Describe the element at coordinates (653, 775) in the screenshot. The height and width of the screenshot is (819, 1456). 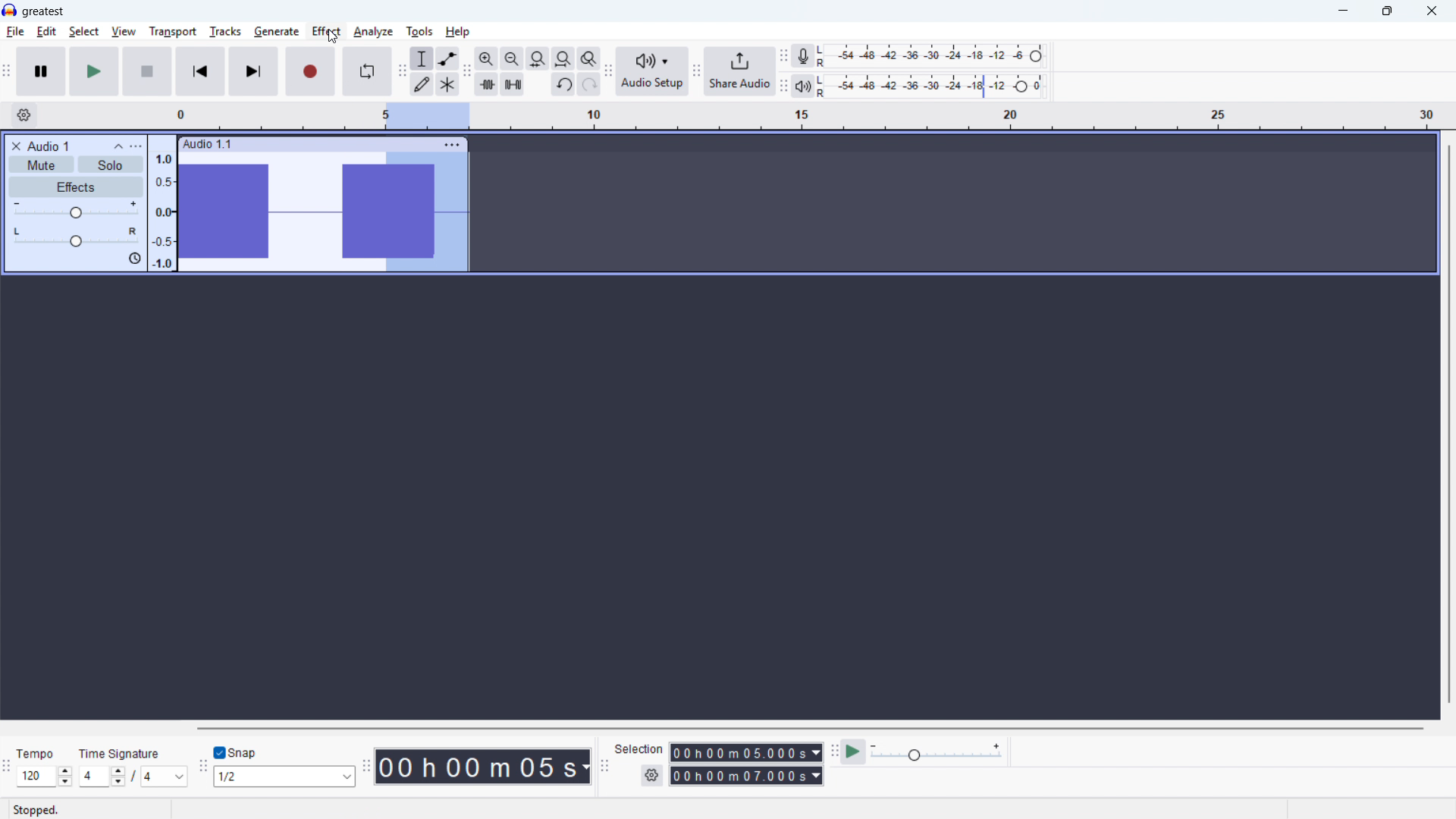
I see `Selection settings ` at that location.